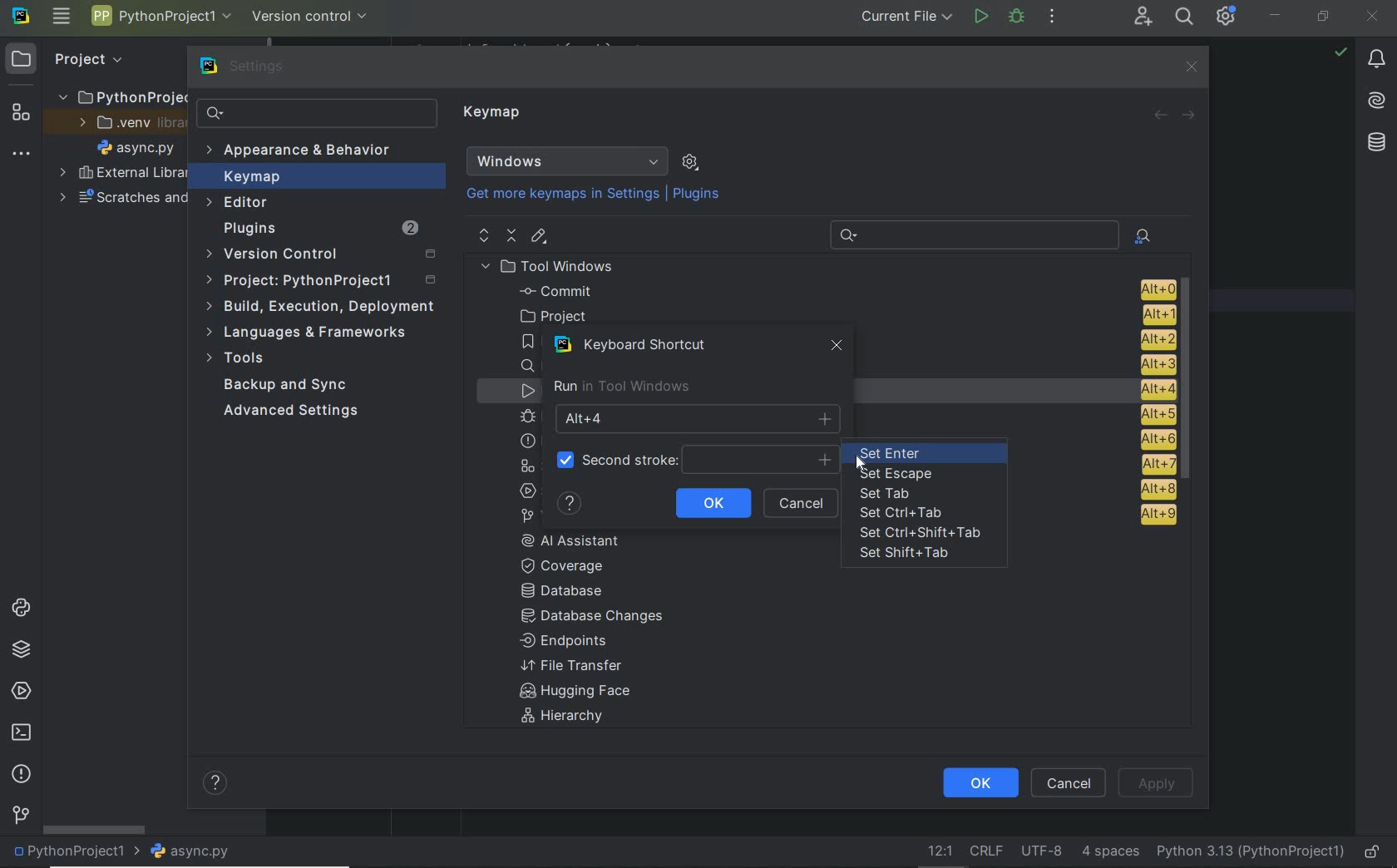  What do you see at coordinates (495, 115) in the screenshot?
I see `Keymap` at bounding box center [495, 115].